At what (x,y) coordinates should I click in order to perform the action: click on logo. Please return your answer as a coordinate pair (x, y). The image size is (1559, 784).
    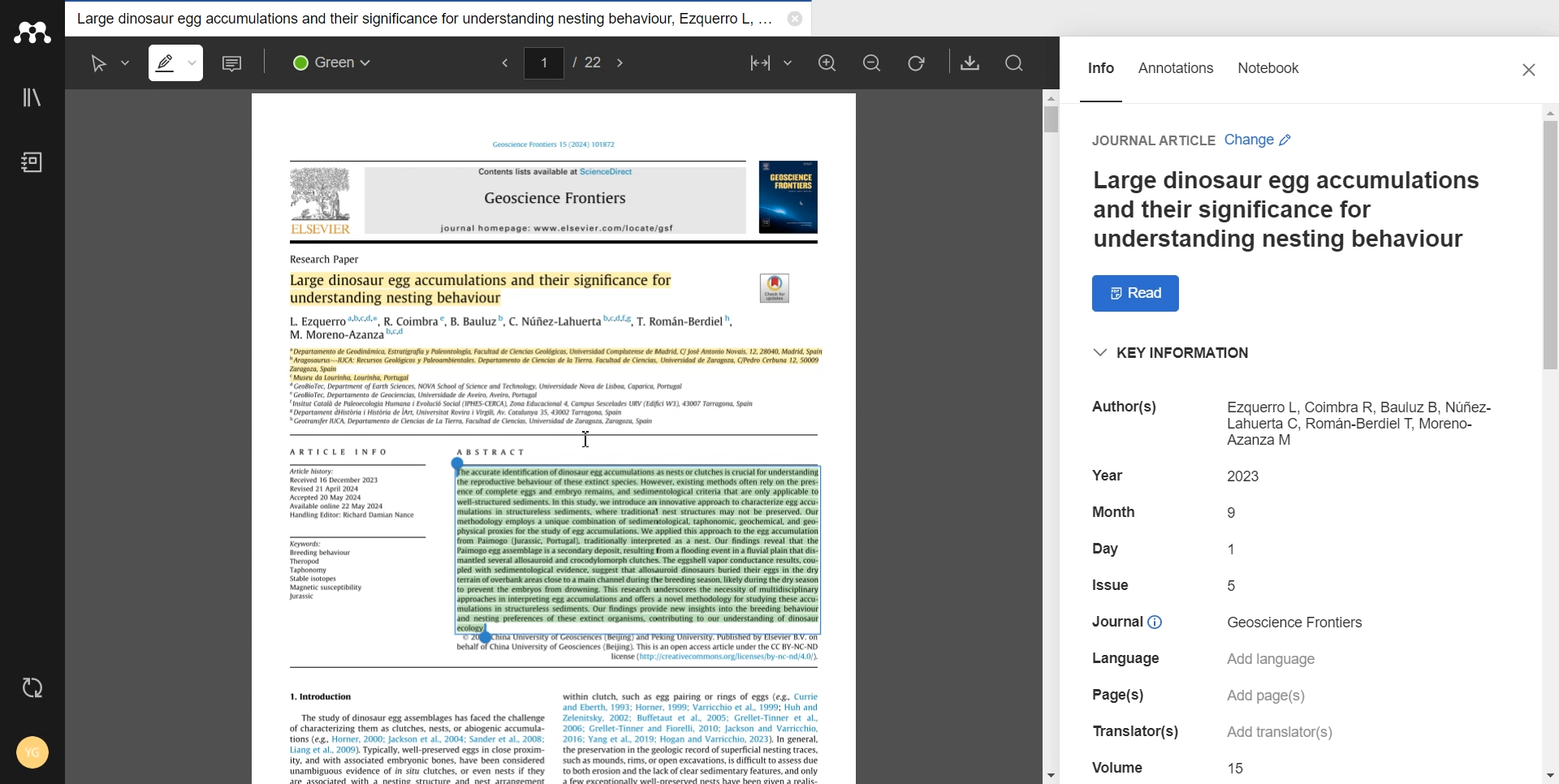
    Looking at the image, I should click on (776, 287).